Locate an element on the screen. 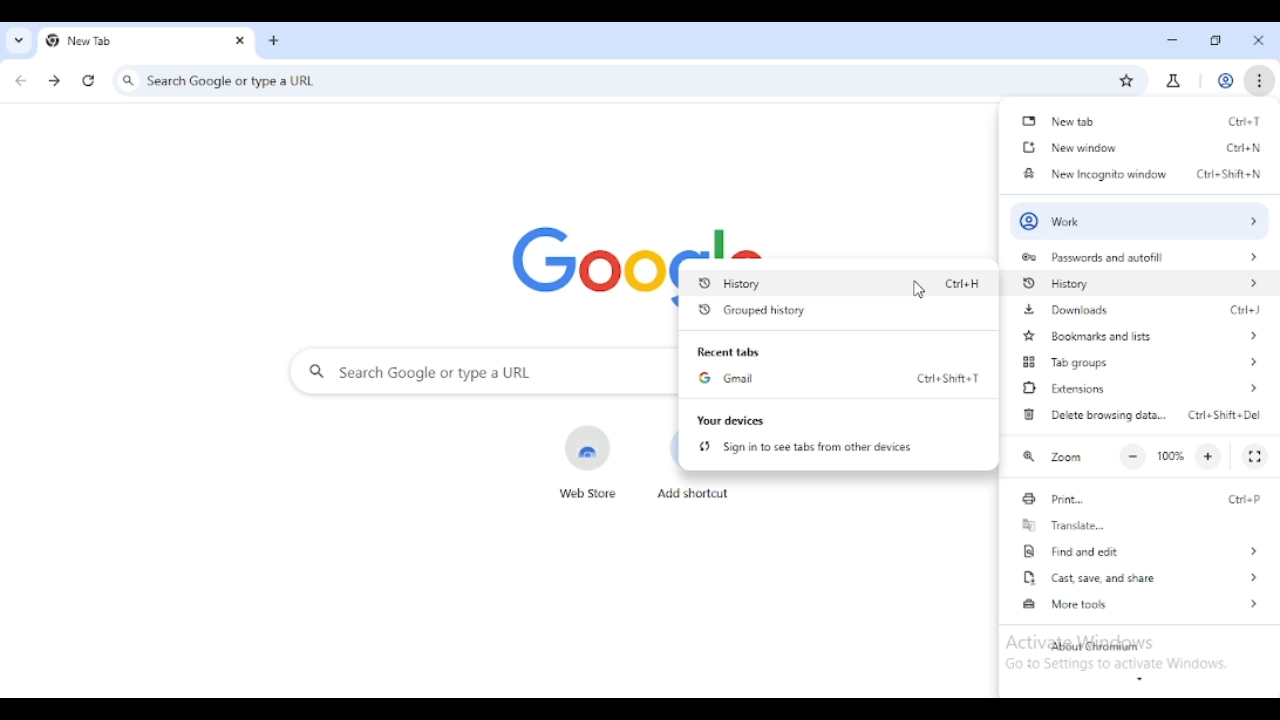 The image size is (1280, 720). extensions is located at coordinates (1141, 387).